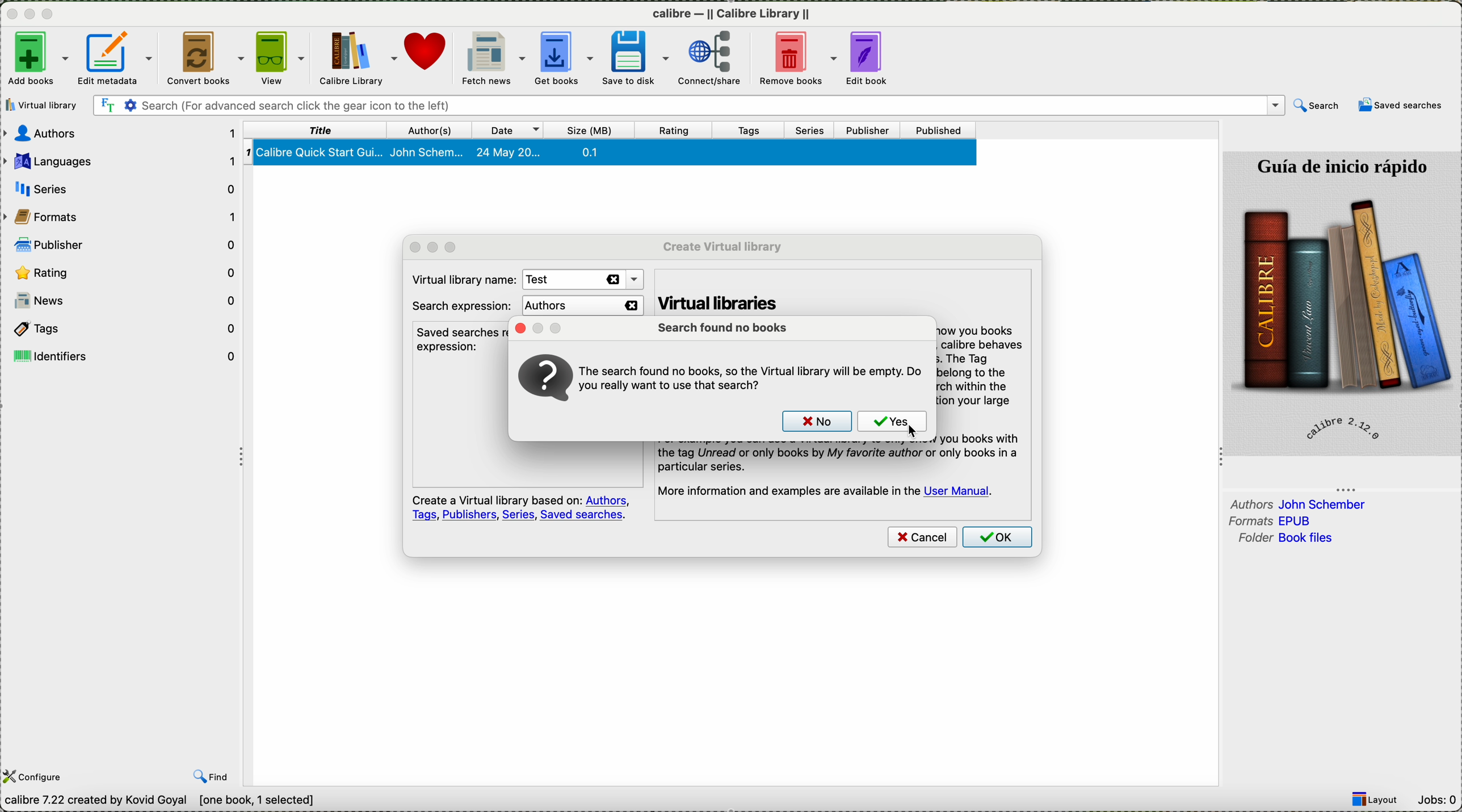  Describe the element at coordinates (50, 14) in the screenshot. I see `maximize program` at that location.